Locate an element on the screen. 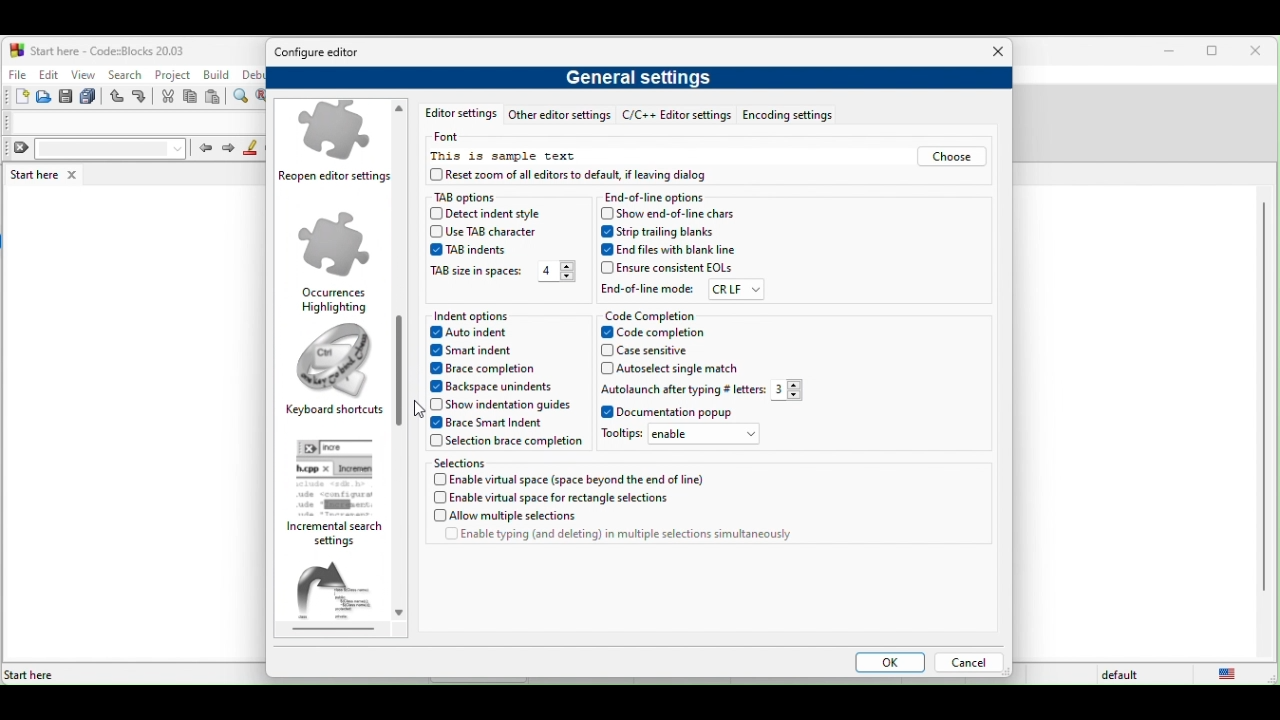  tab options is located at coordinates (484, 197).